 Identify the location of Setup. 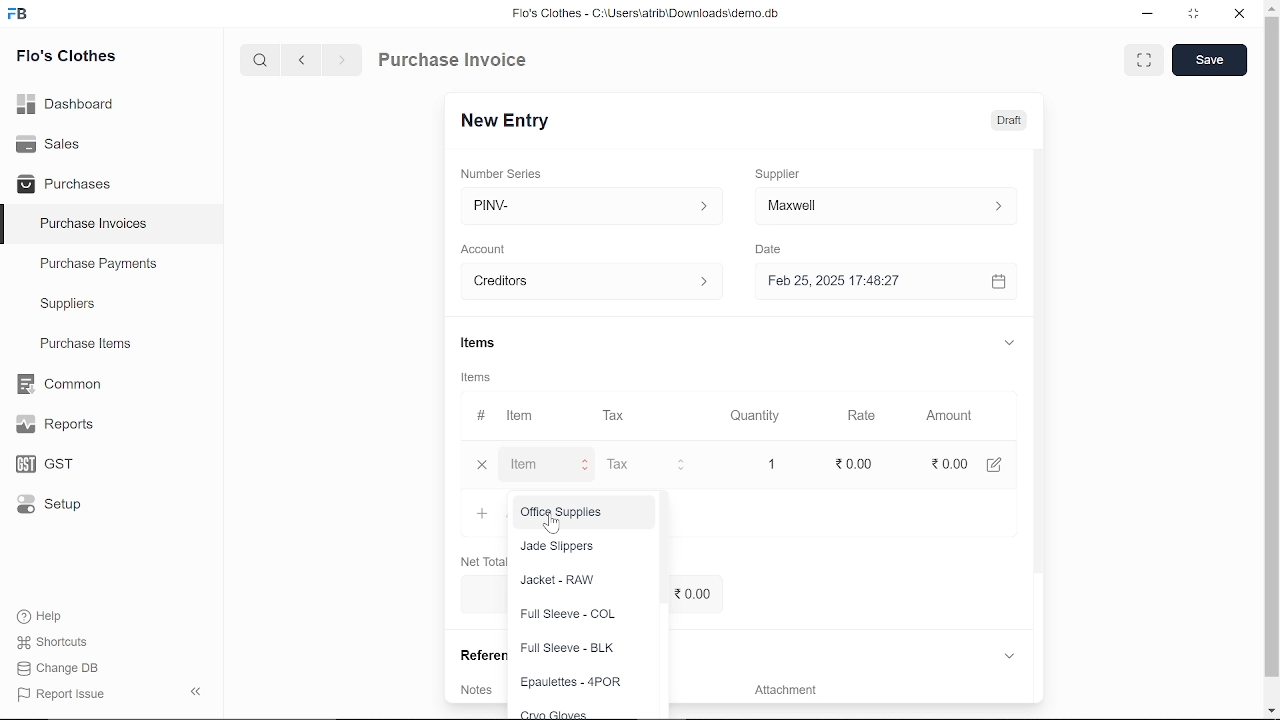
(44, 508).